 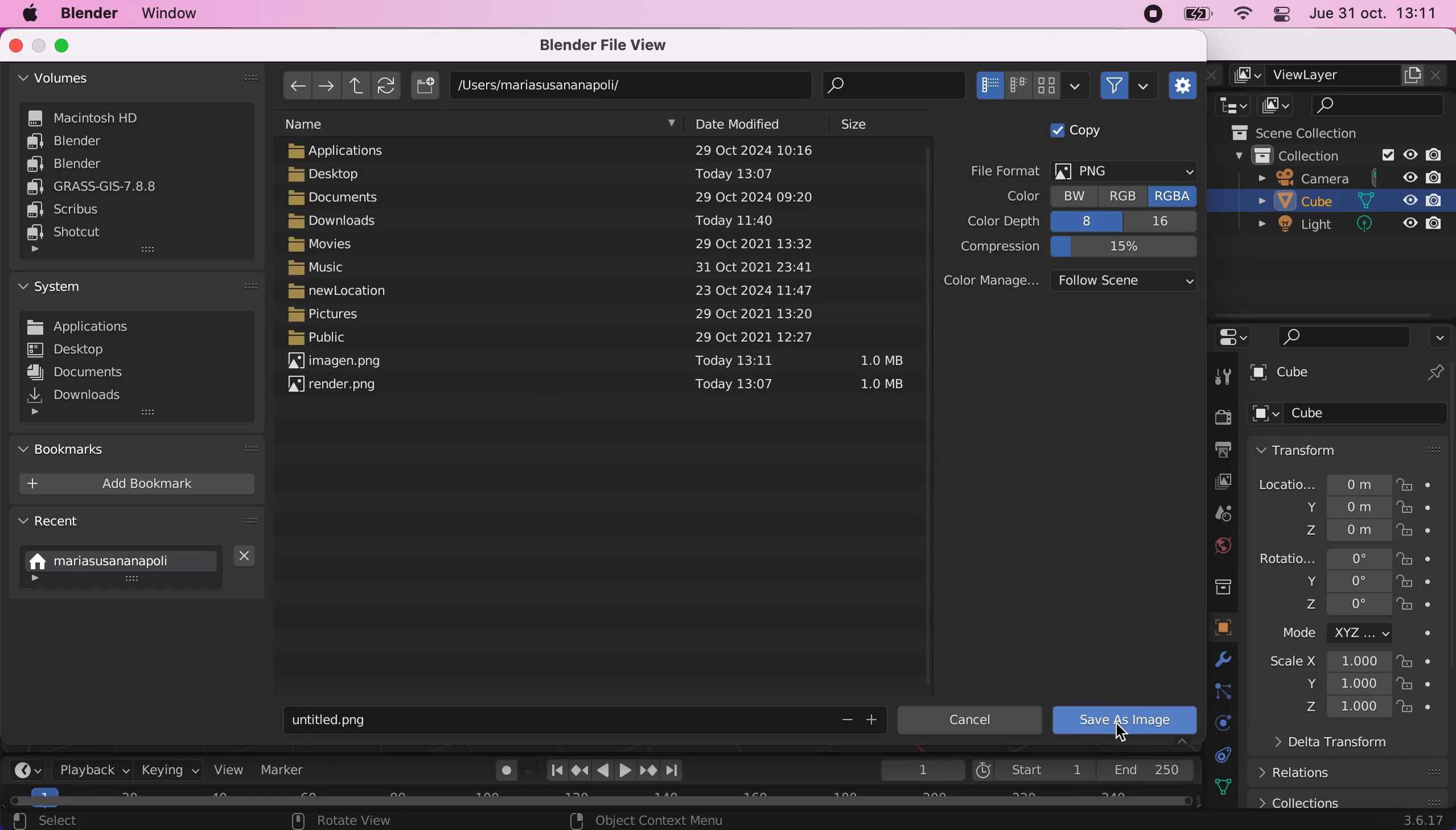 I want to click on volumes, so click(x=137, y=166).